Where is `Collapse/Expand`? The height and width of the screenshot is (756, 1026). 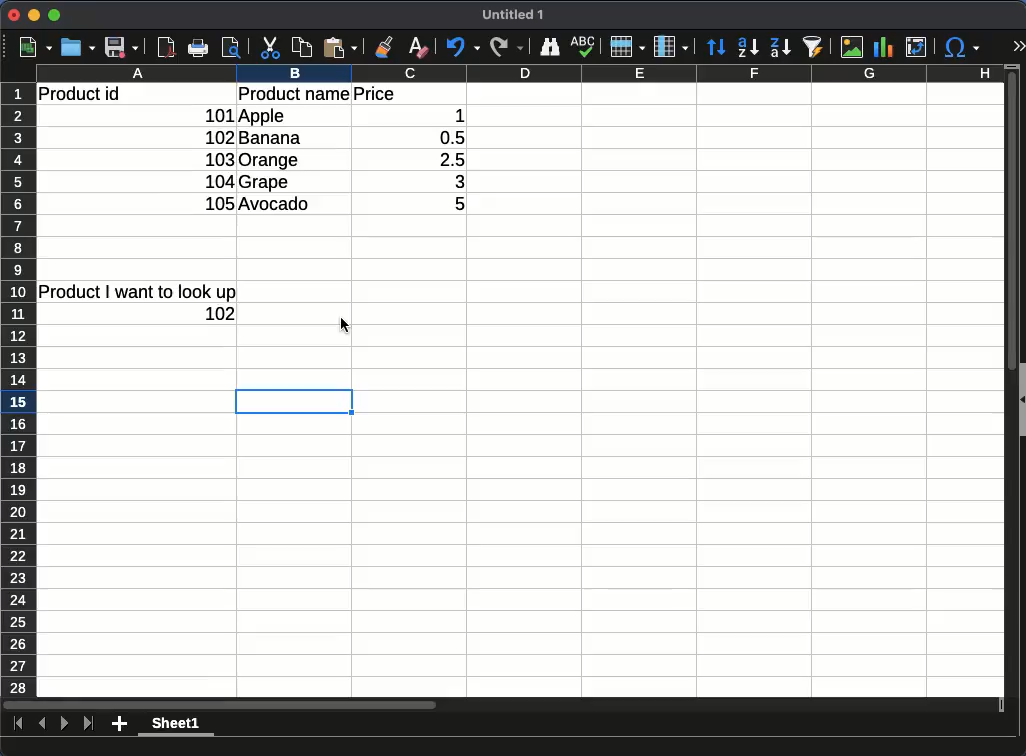 Collapse/Expand is located at coordinates (1023, 400).